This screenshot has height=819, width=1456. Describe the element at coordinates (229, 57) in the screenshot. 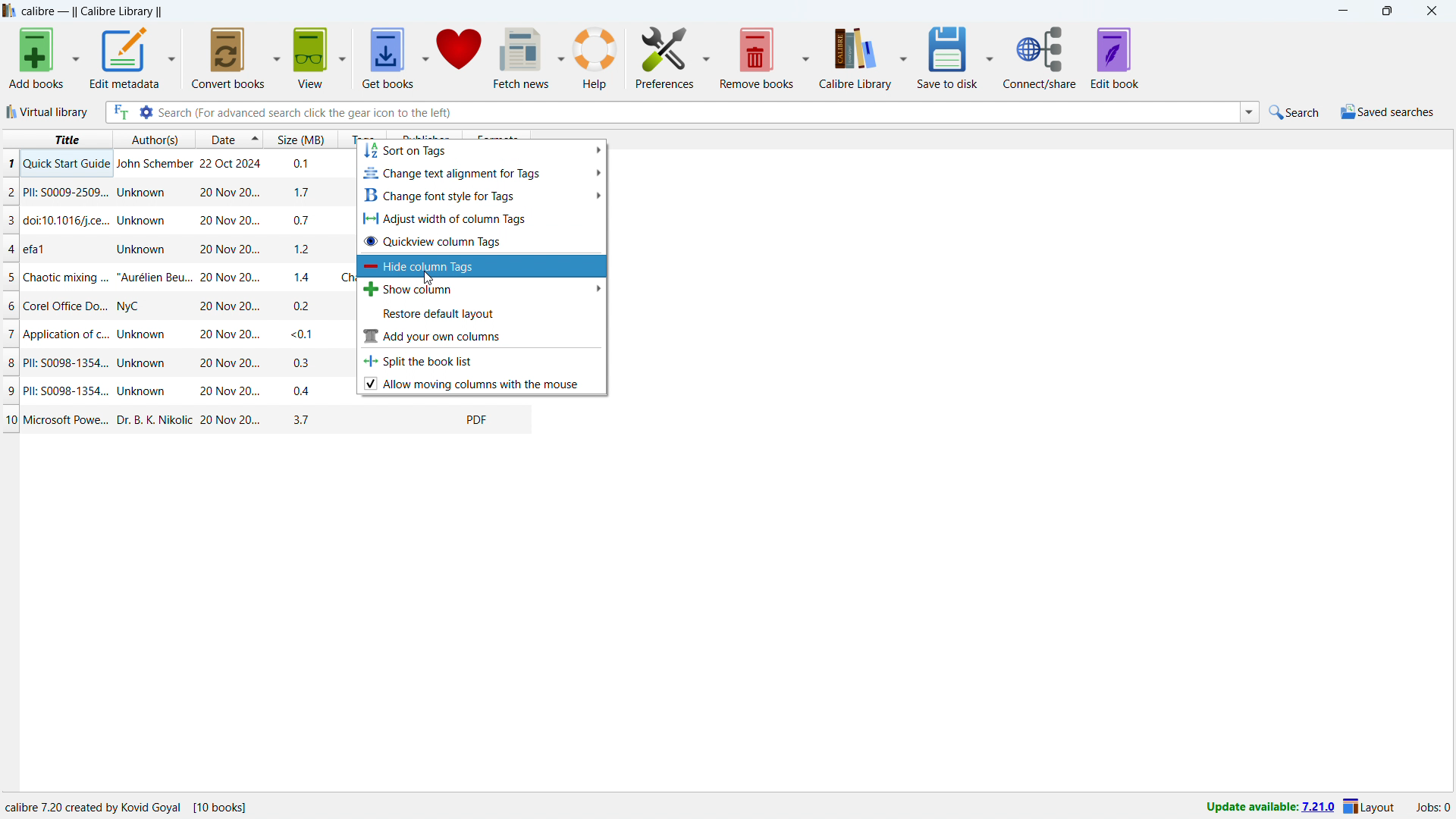

I see `` at that location.